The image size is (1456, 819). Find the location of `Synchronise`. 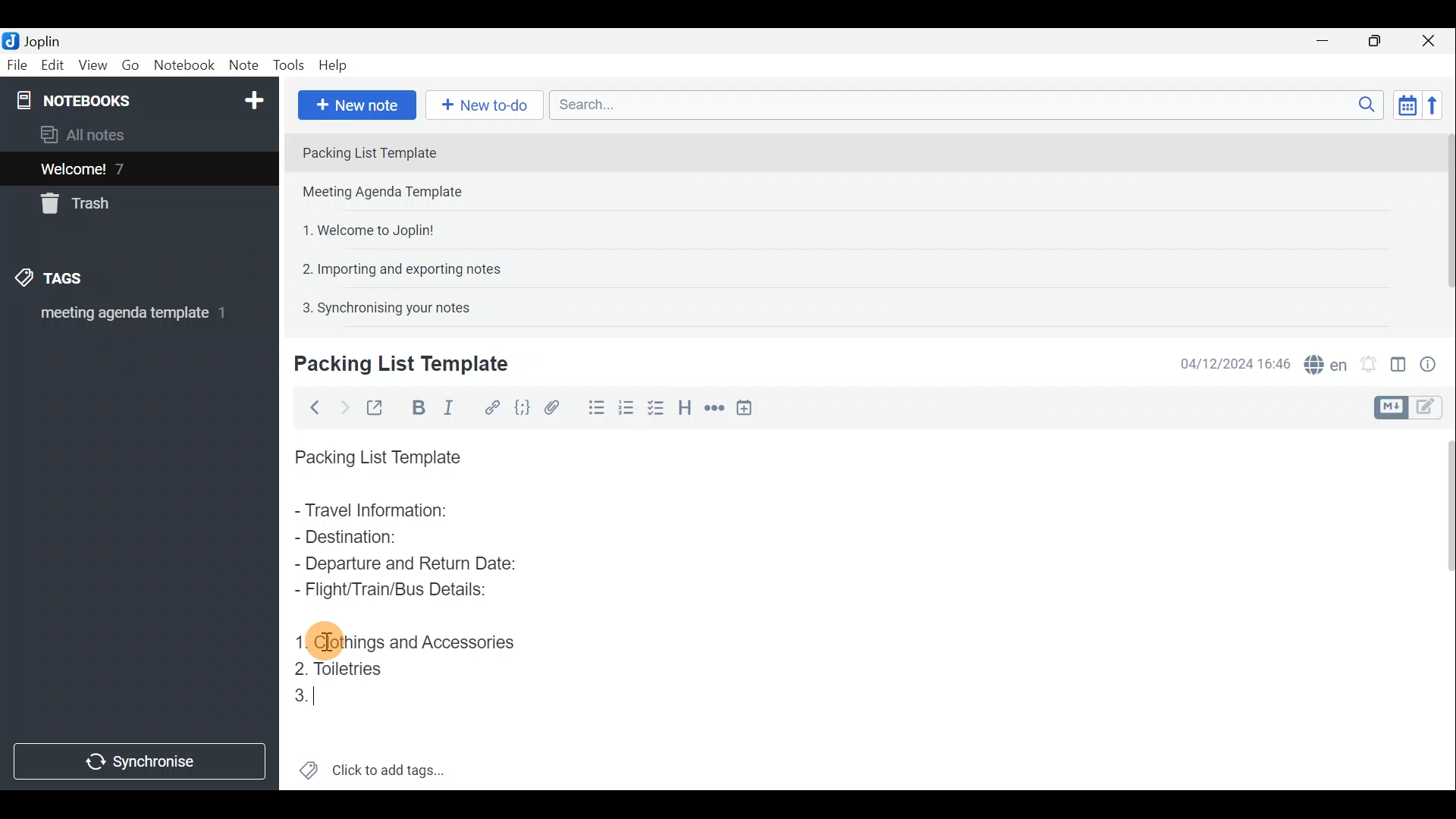

Synchronise is located at coordinates (142, 764).